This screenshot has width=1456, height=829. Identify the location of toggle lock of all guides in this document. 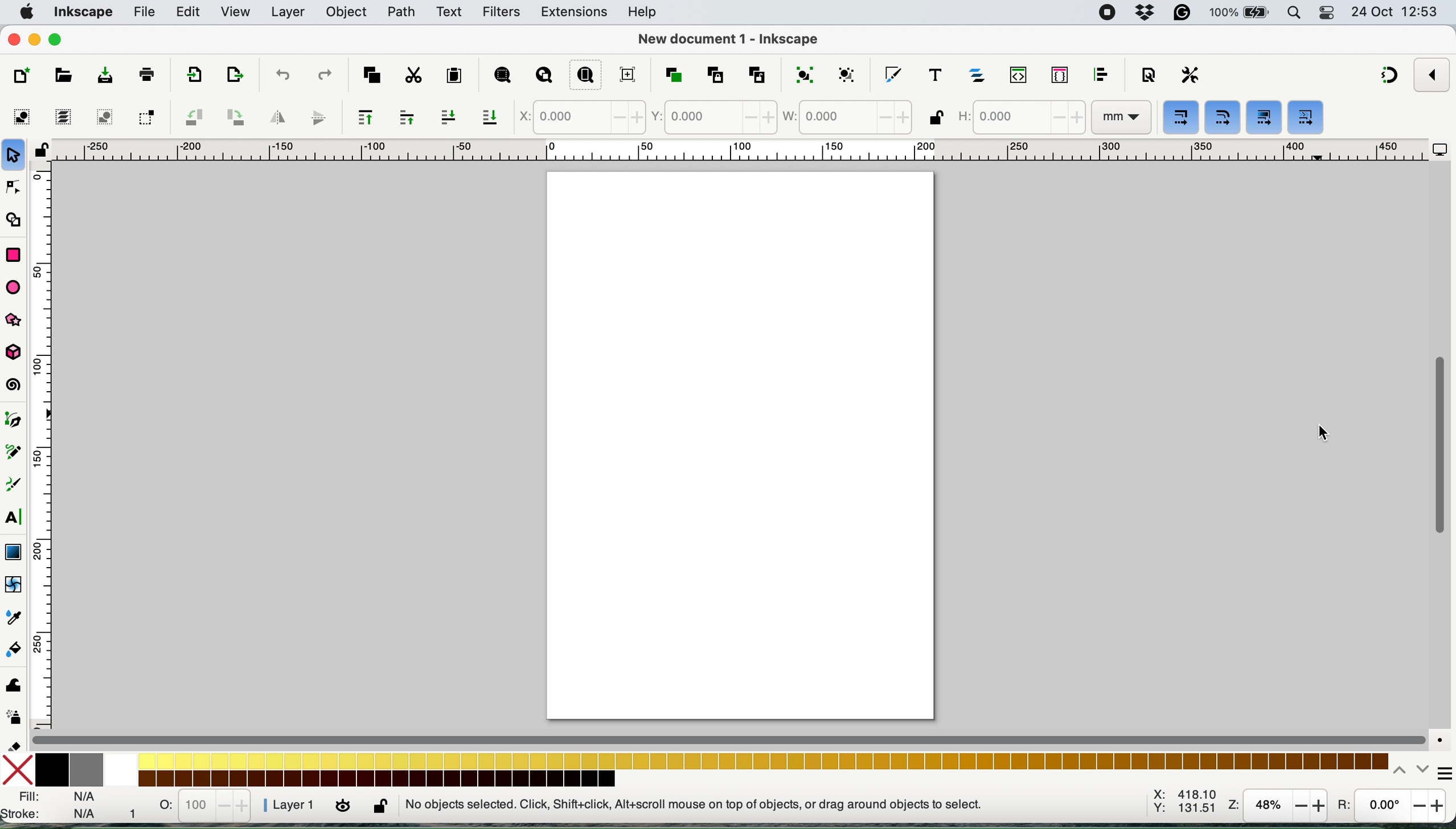
(42, 150).